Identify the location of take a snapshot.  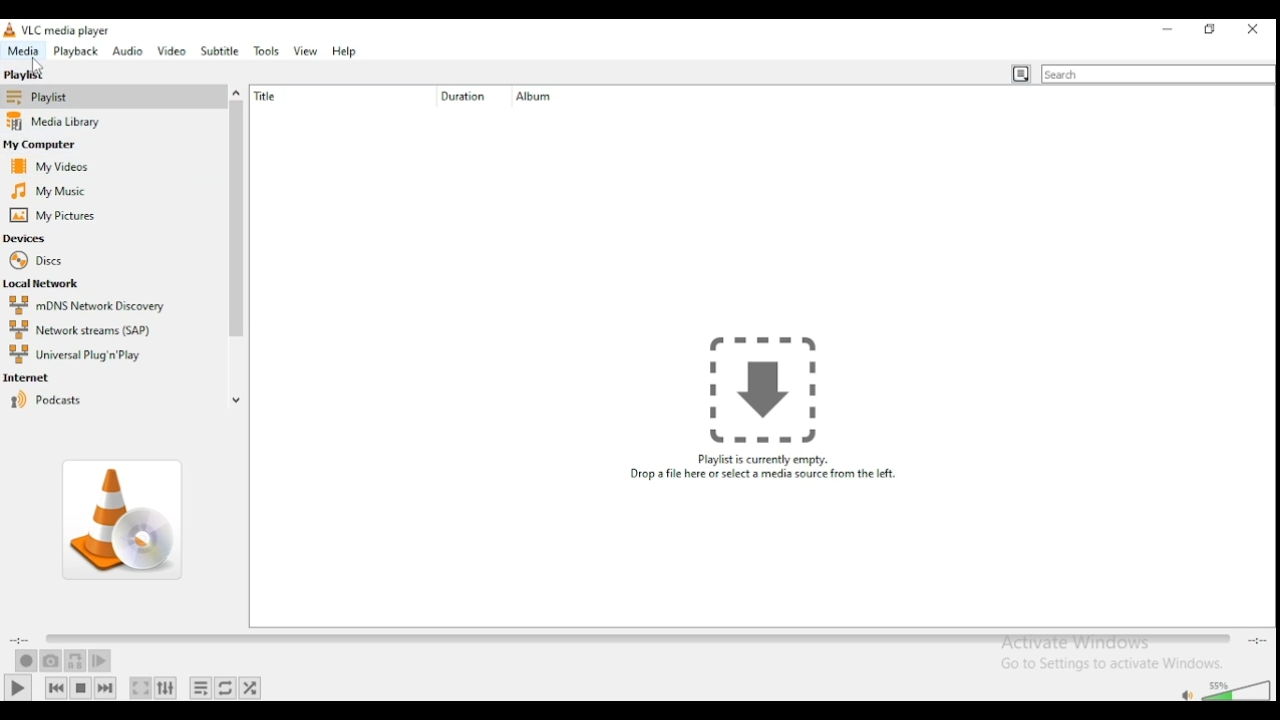
(50, 660).